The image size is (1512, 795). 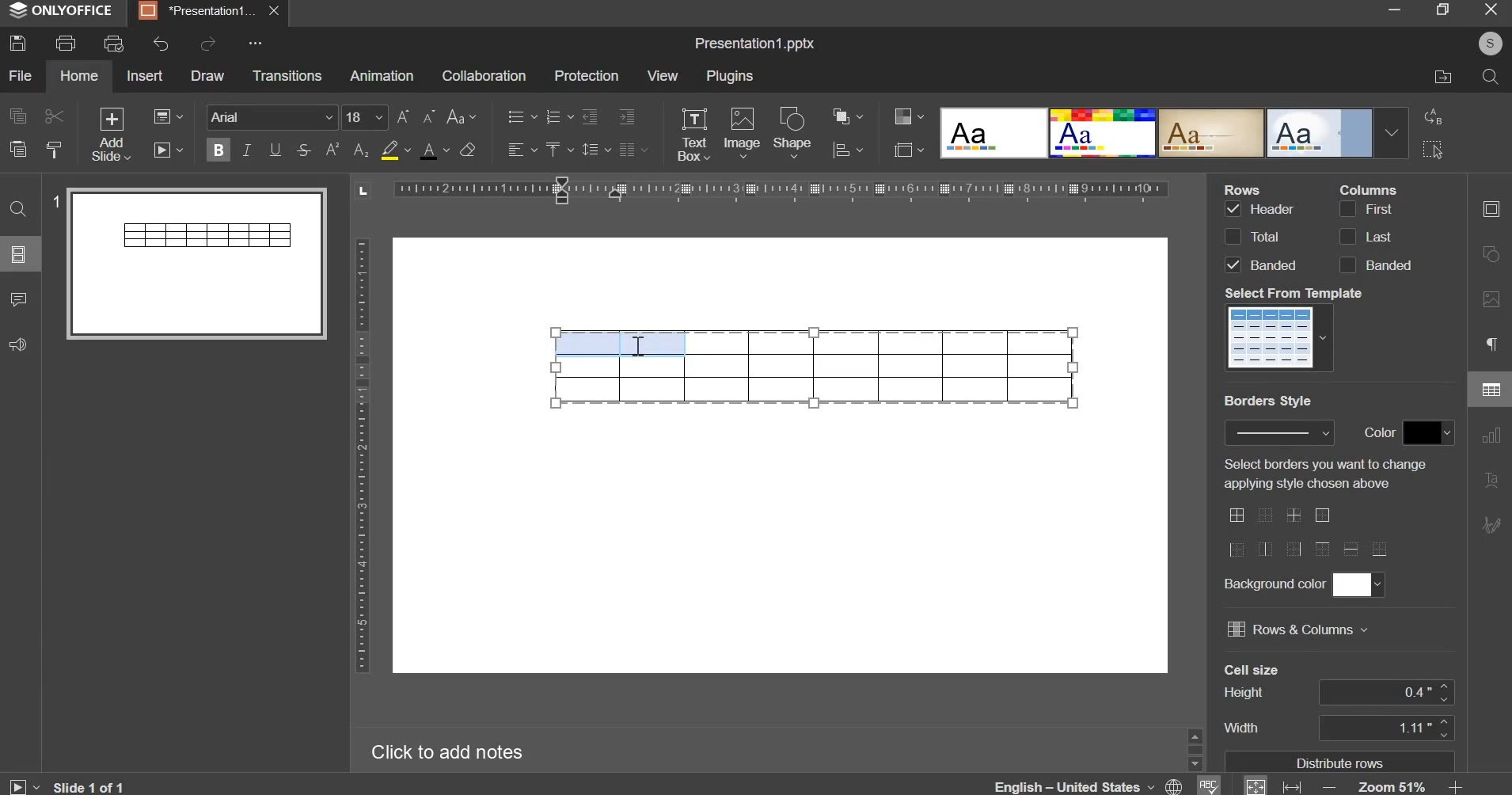 What do you see at coordinates (253, 44) in the screenshot?
I see `More` at bounding box center [253, 44].